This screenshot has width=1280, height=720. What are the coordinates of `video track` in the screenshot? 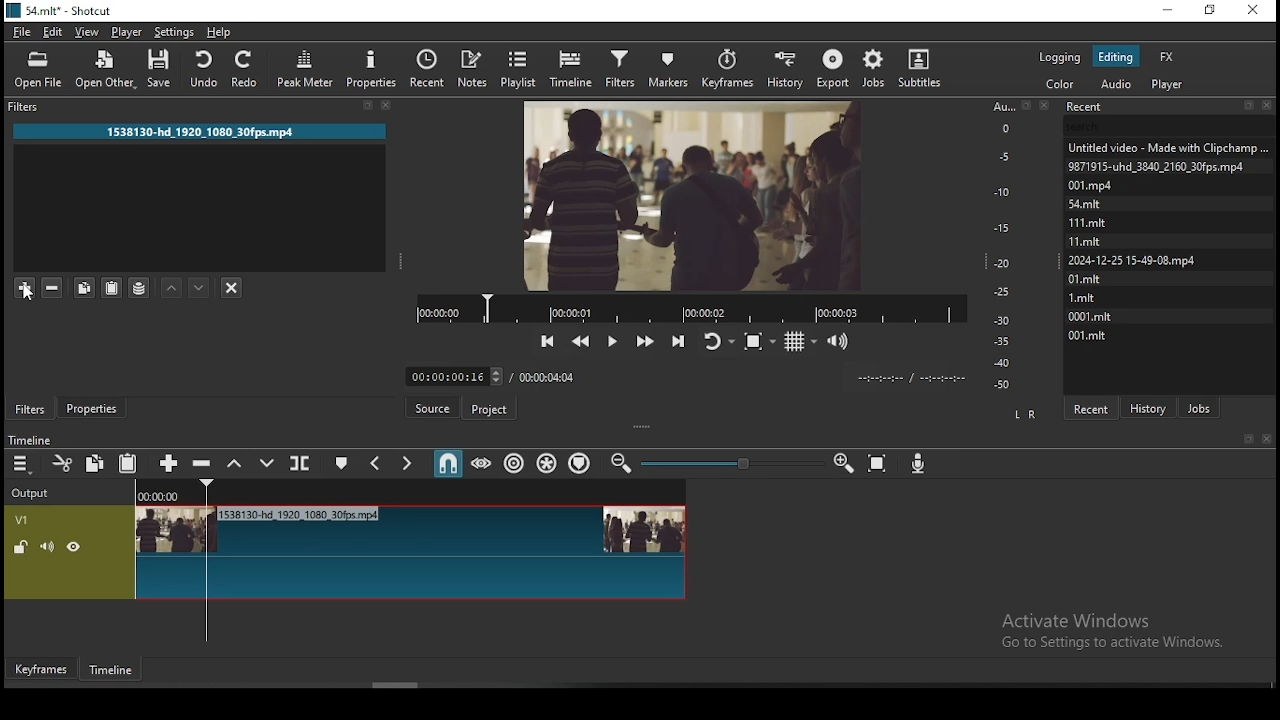 It's located at (345, 552).